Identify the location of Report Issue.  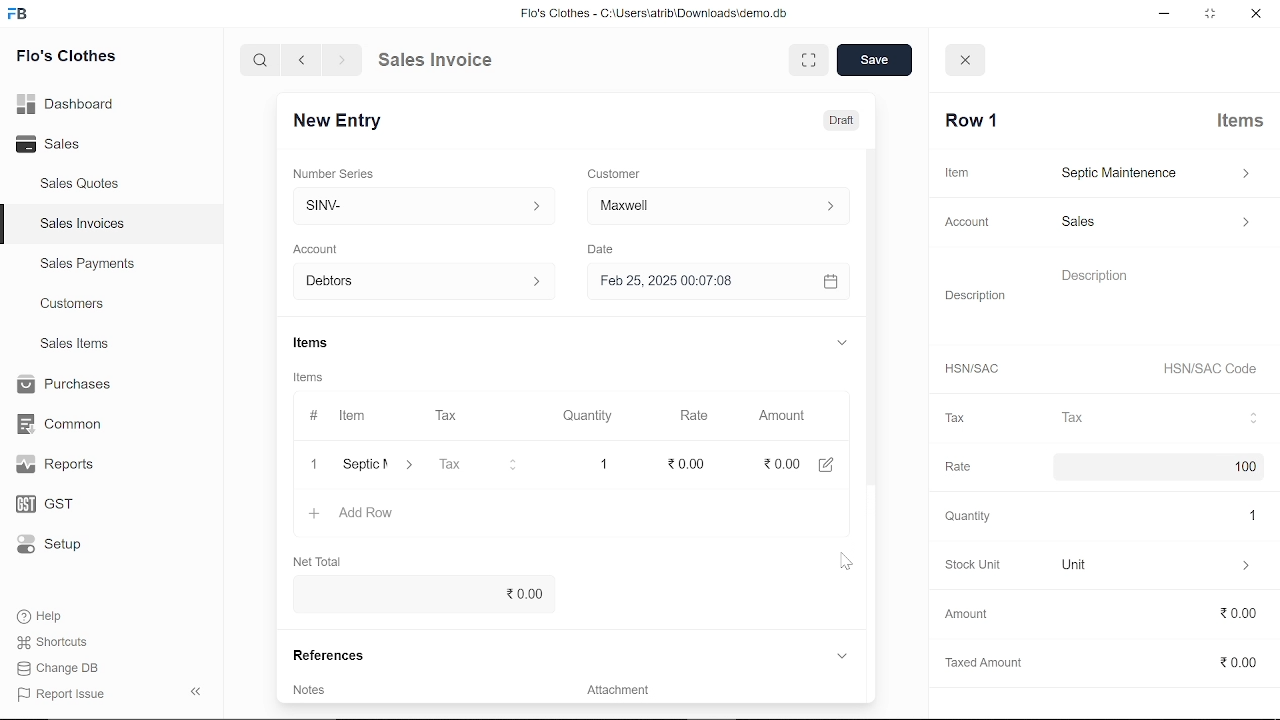
(61, 693).